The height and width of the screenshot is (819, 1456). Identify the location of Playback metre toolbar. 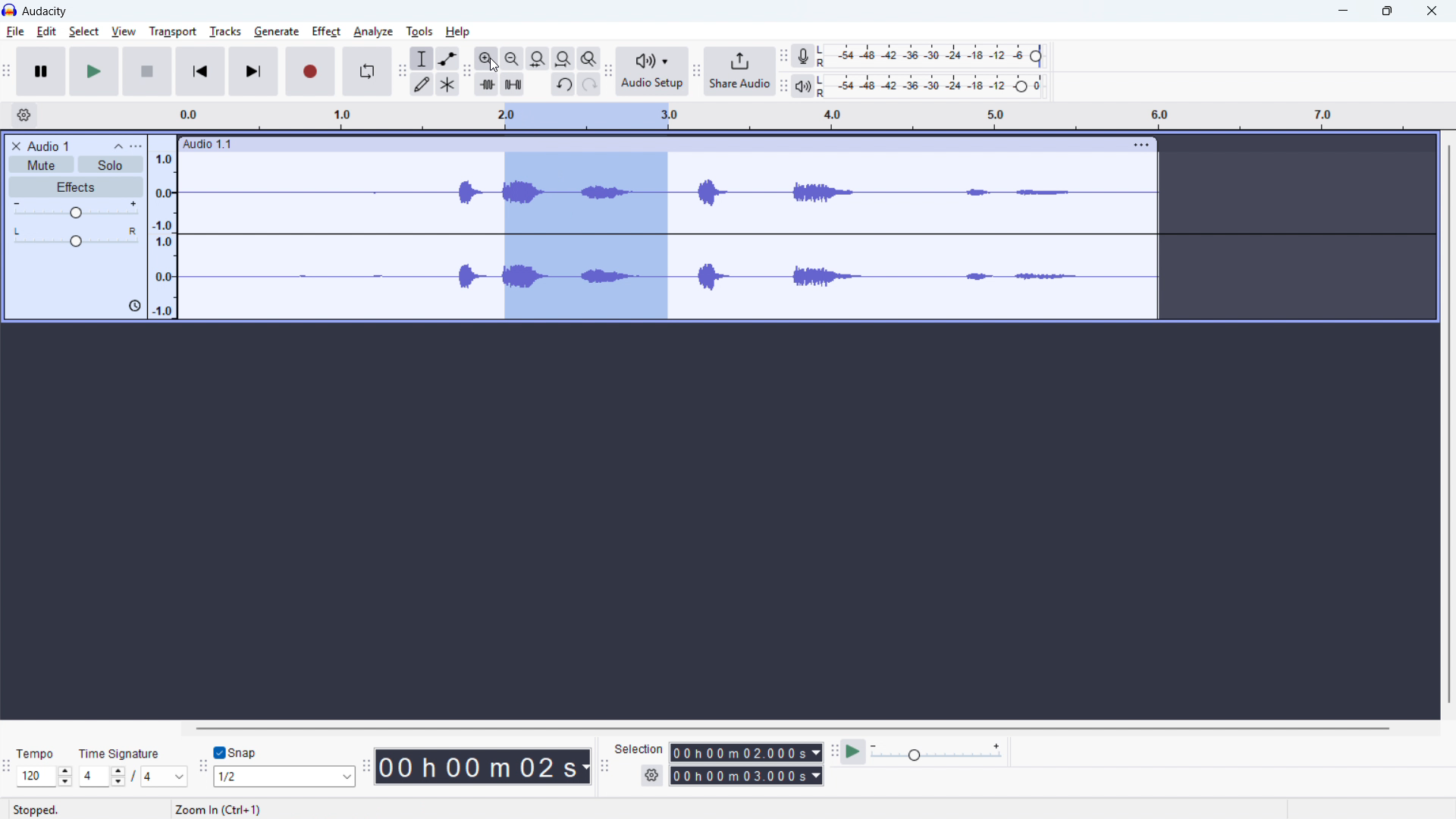
(783, 86).